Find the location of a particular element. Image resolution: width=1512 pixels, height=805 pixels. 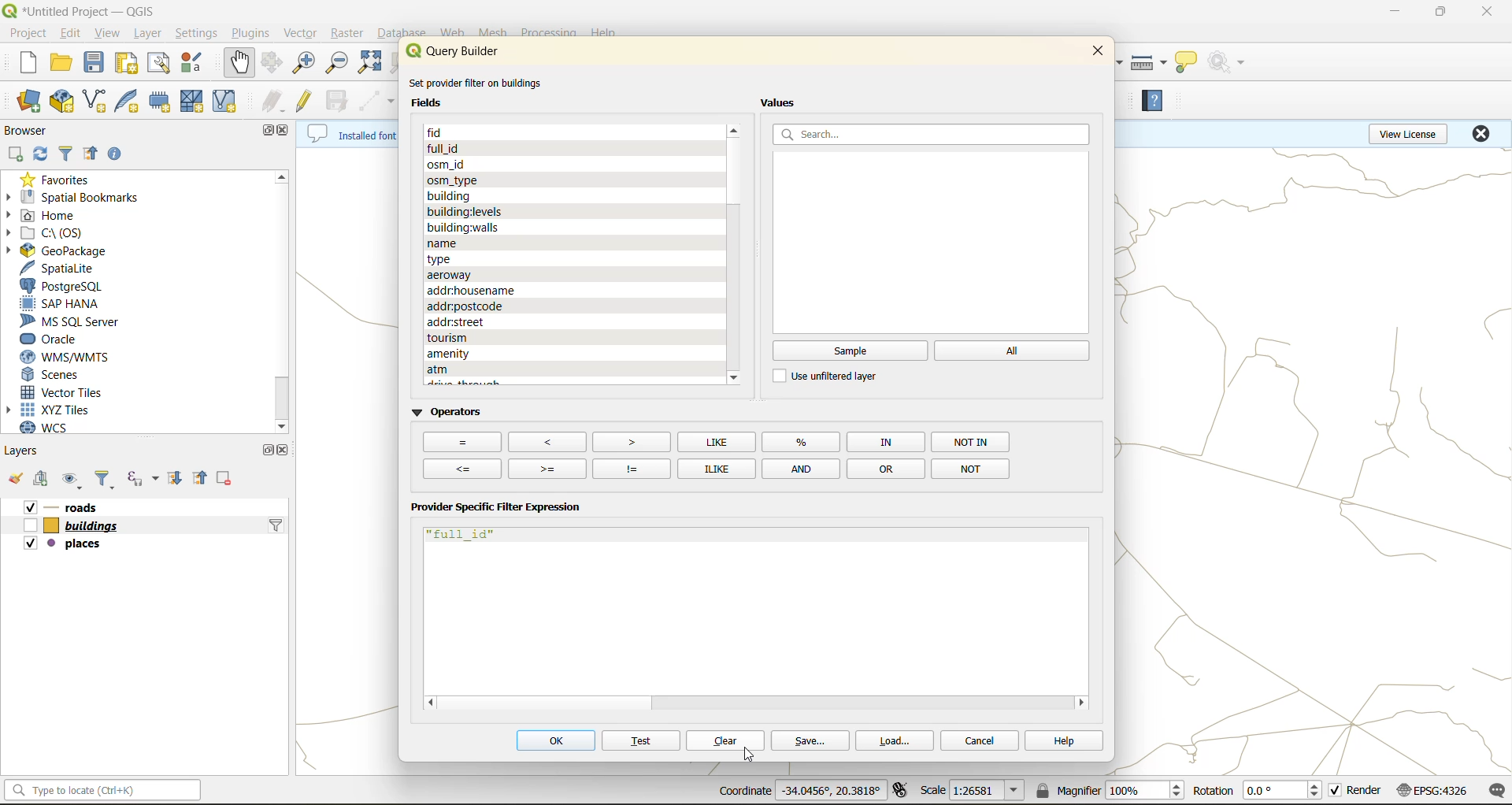

sample is located at coordinates (850, 351).